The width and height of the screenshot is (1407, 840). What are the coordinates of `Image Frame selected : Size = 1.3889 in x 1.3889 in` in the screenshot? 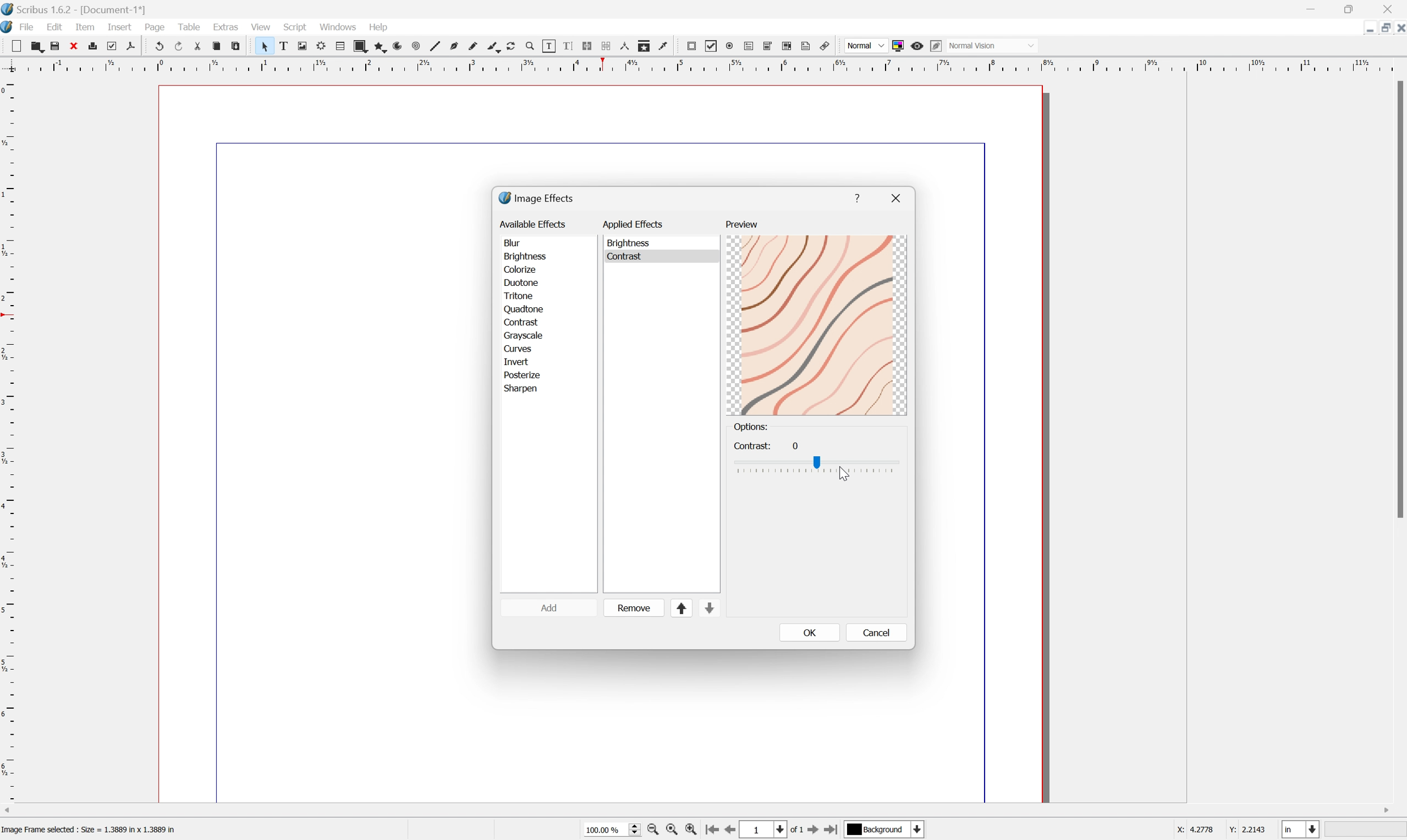 It's located at (89, 830).